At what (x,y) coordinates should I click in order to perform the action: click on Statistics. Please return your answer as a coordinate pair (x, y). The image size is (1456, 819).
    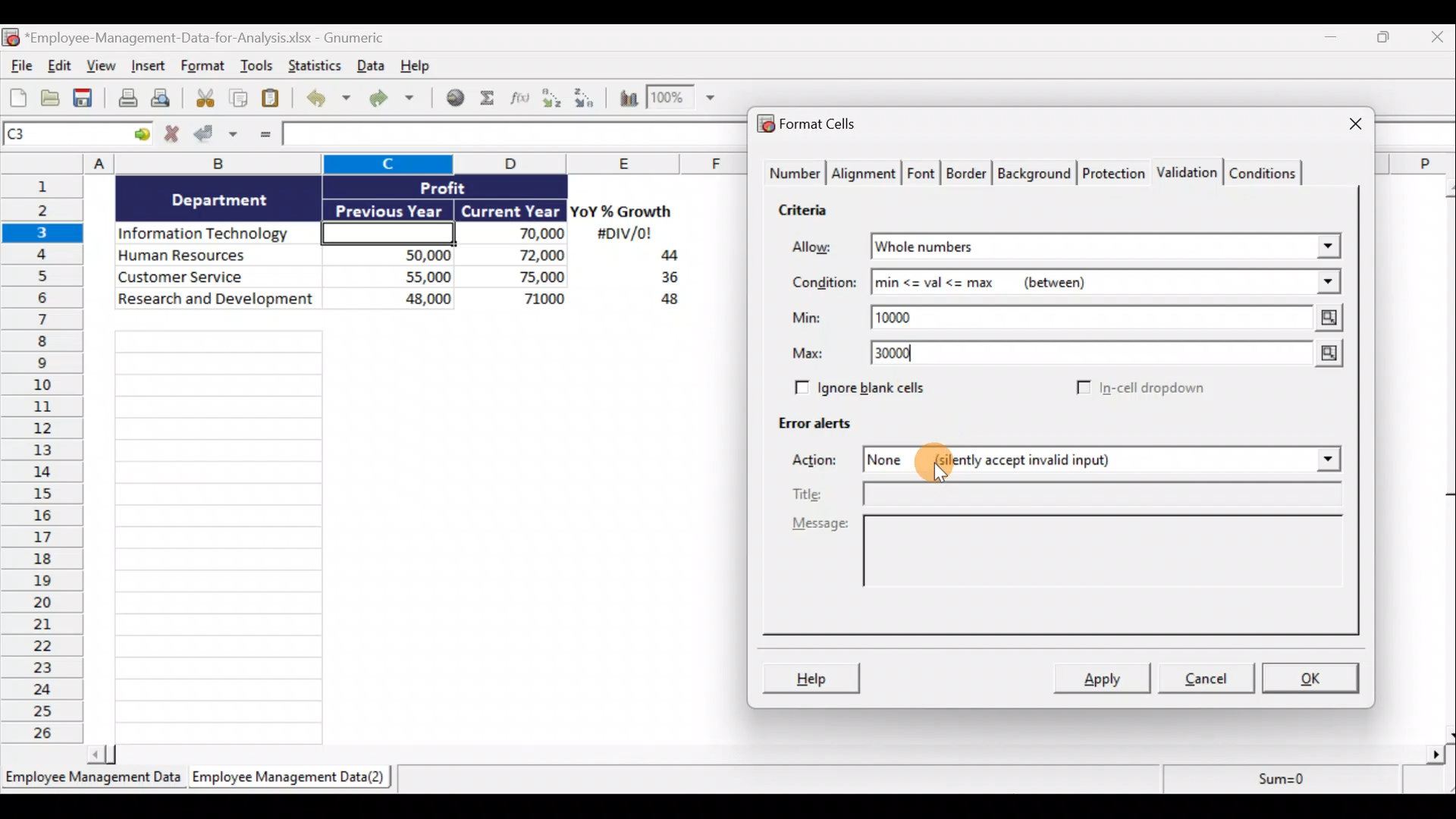
    Looking at the image, I should click on (313, 65).